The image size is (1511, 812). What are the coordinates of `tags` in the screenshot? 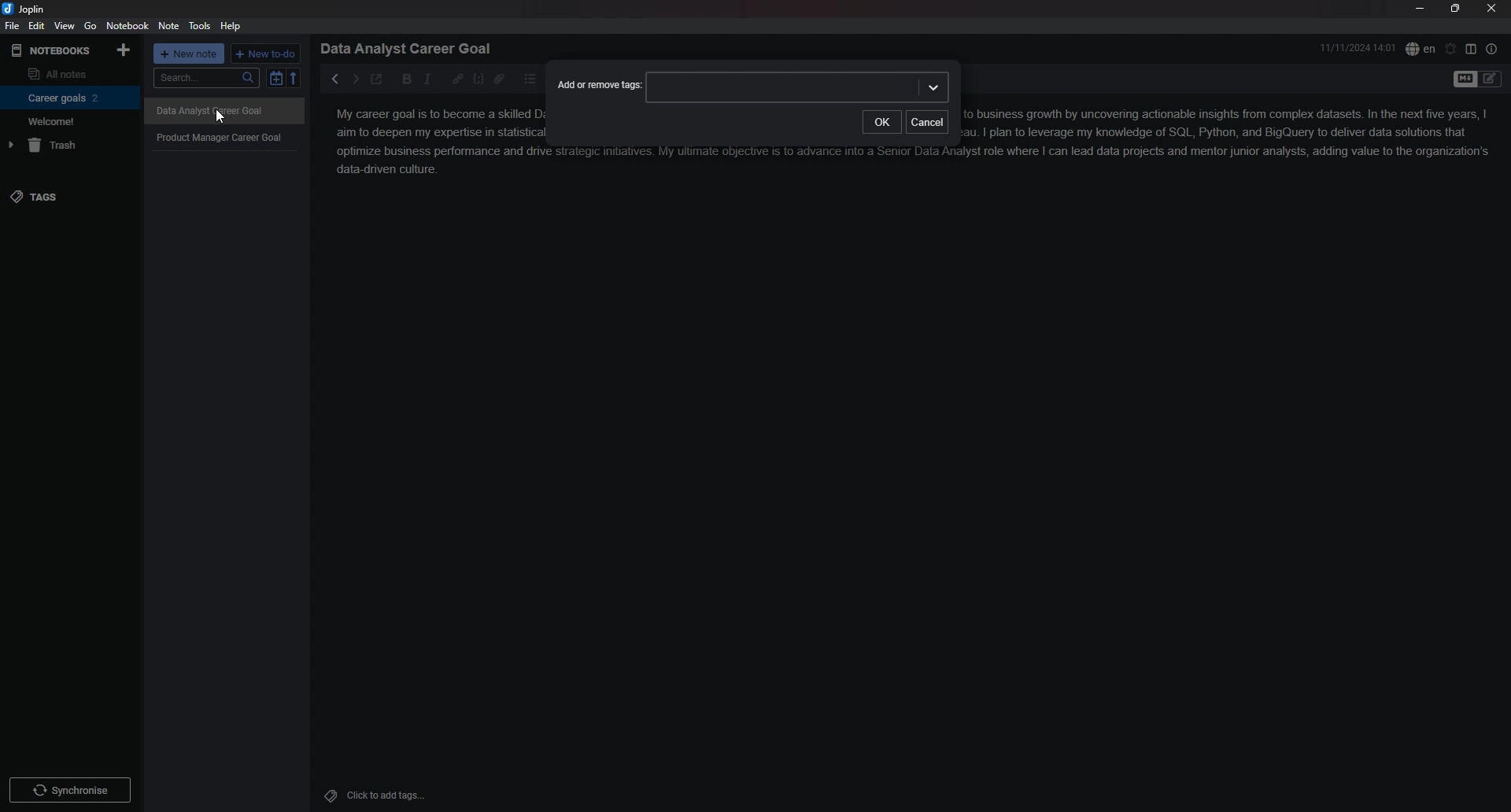 It's located at (69, 197).